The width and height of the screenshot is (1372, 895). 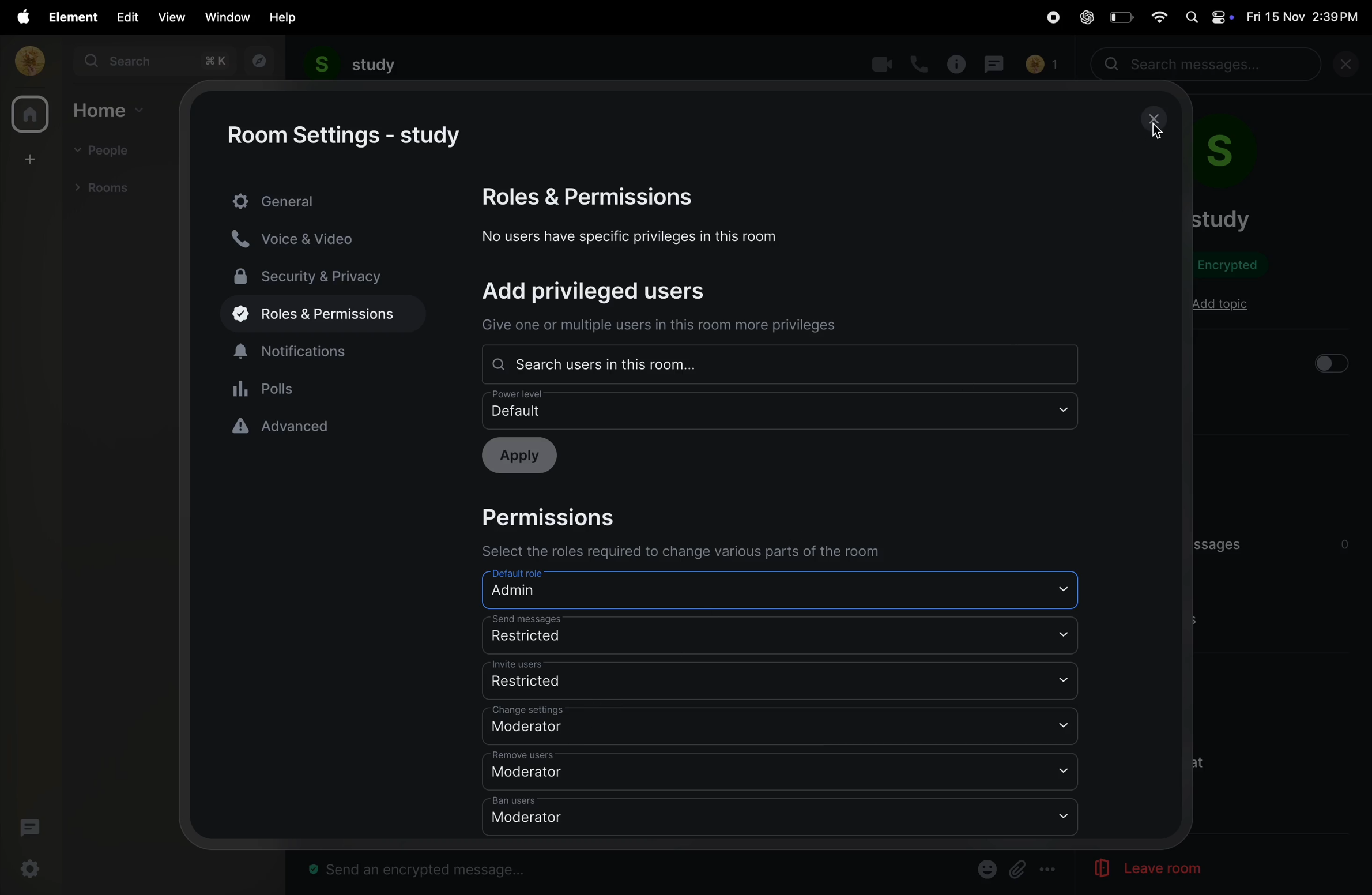 I want to click on search bar, so click(x=1208, y=65).